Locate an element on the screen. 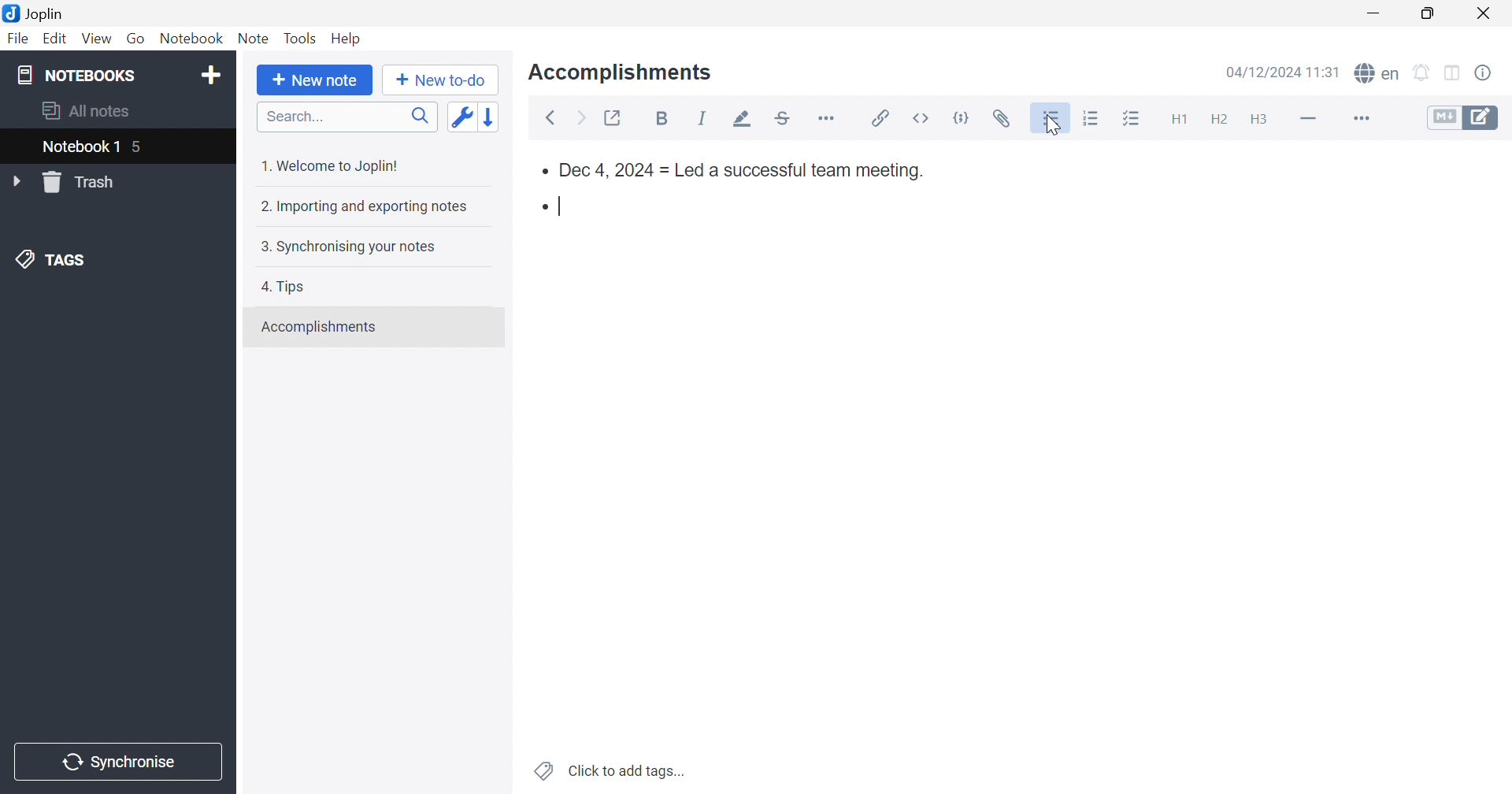 Image resolution: width=1512 pixels, height=794 pixels. Close is located at coordinates (1483, 13).